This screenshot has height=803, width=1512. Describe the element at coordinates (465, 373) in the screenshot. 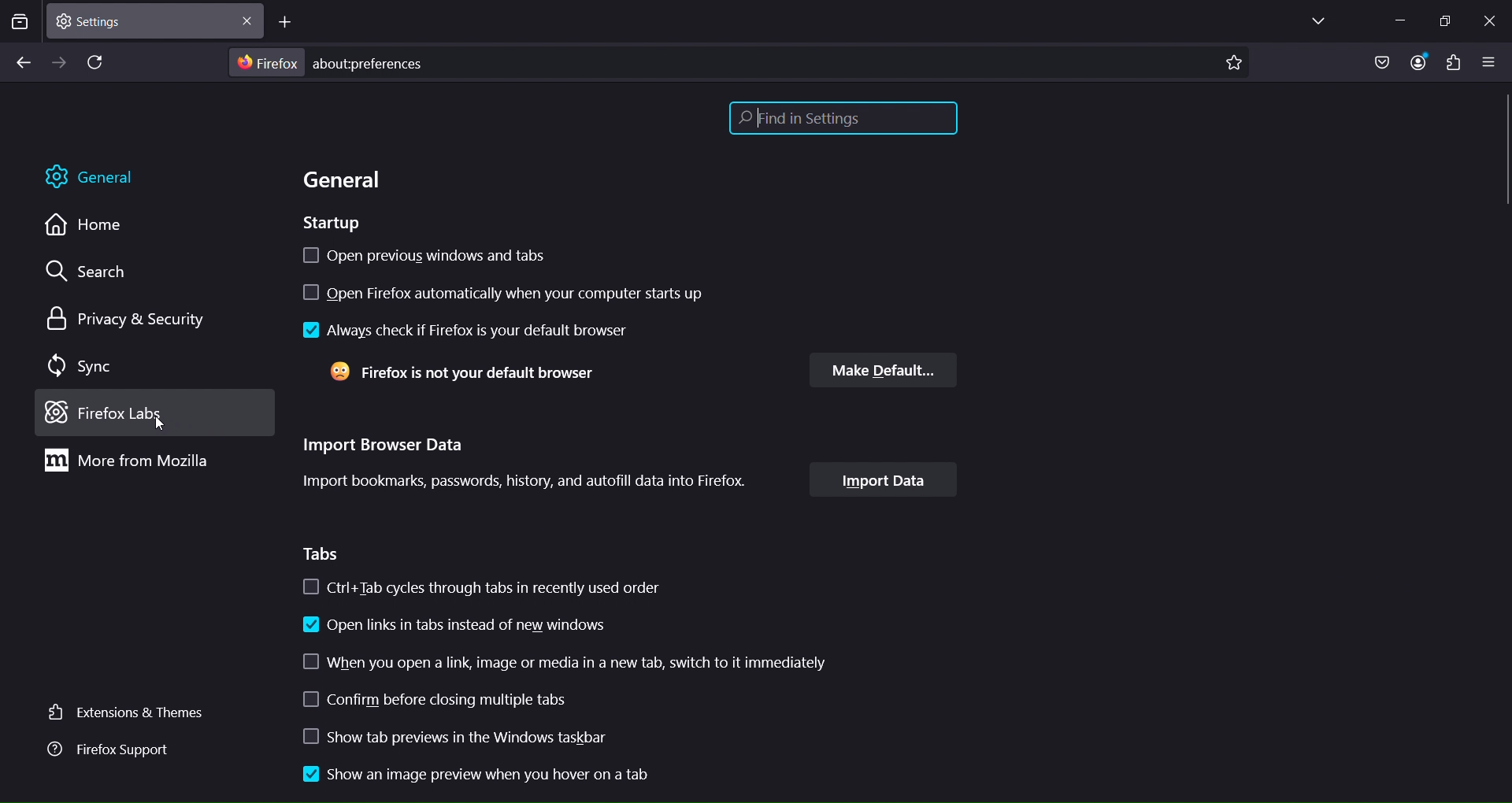

I see `Firefox is not your default browser` at that location.